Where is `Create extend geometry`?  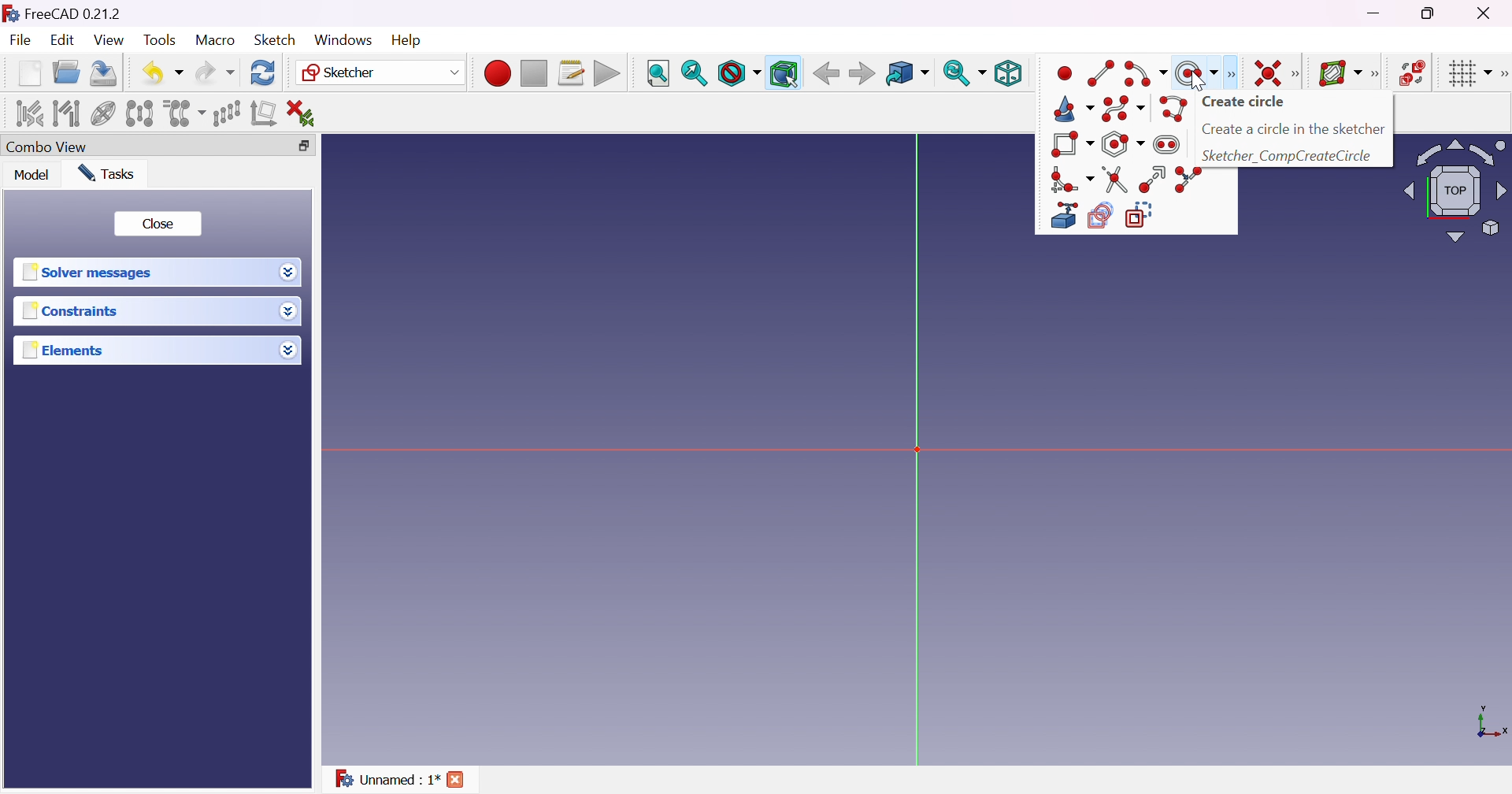
Create extend geometry is located at coordinates (1059, 216).